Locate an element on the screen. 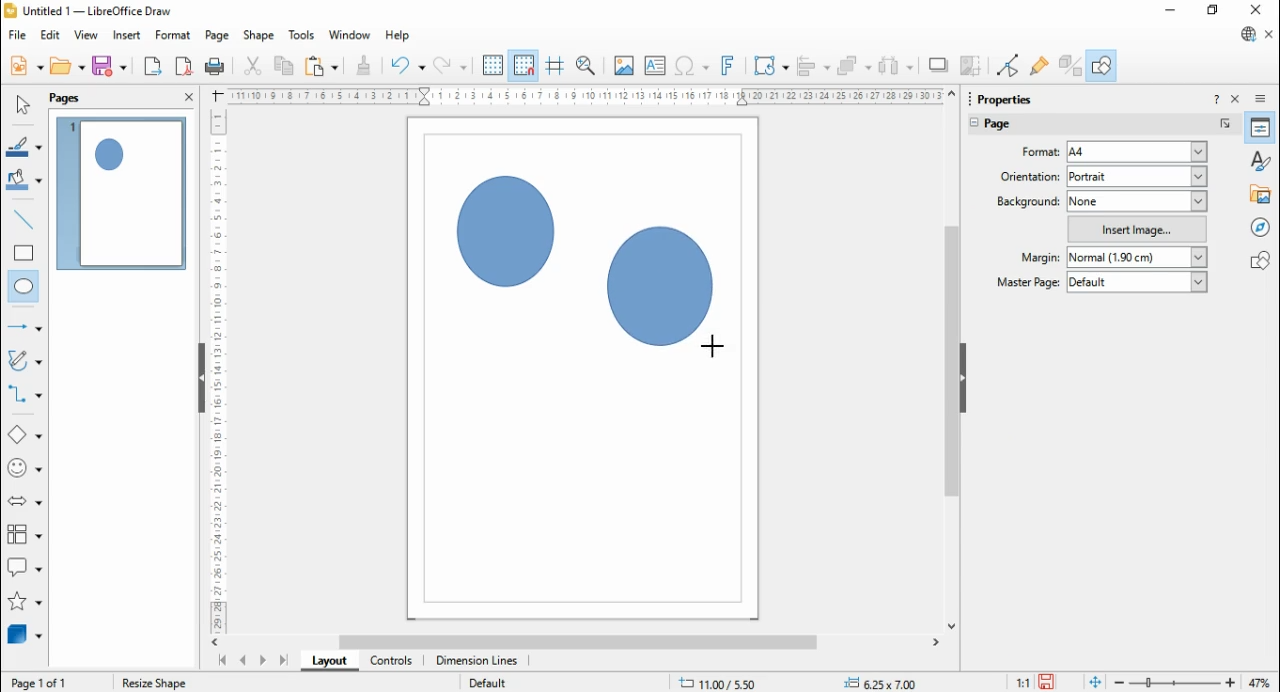 This screenshot has height=692, width=1280. line and arrows is located at coordinates (25, 327).